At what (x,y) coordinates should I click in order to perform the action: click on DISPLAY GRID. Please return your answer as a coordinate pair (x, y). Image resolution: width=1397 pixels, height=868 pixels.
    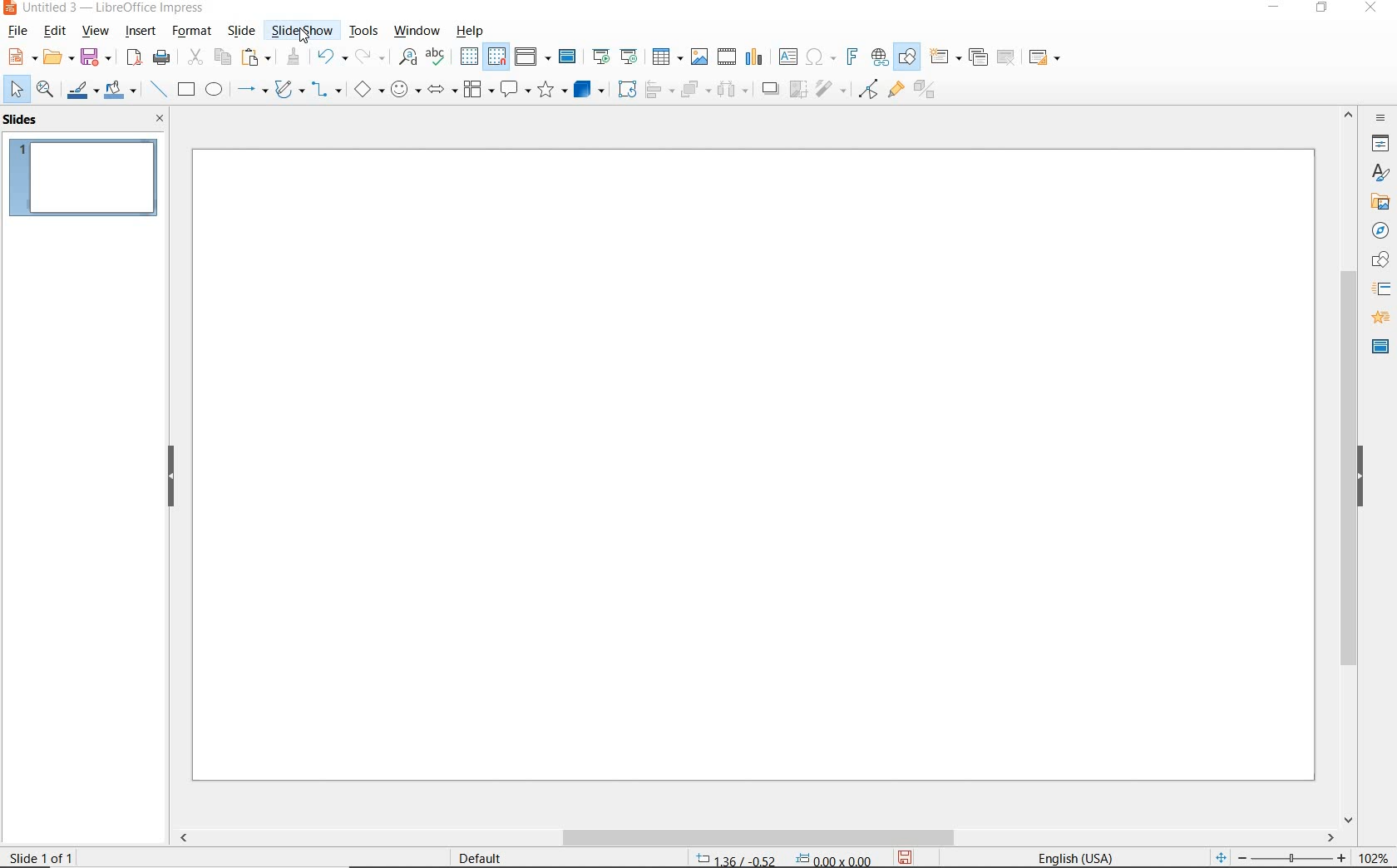
    Looking at the image, I should click on (470, 57).